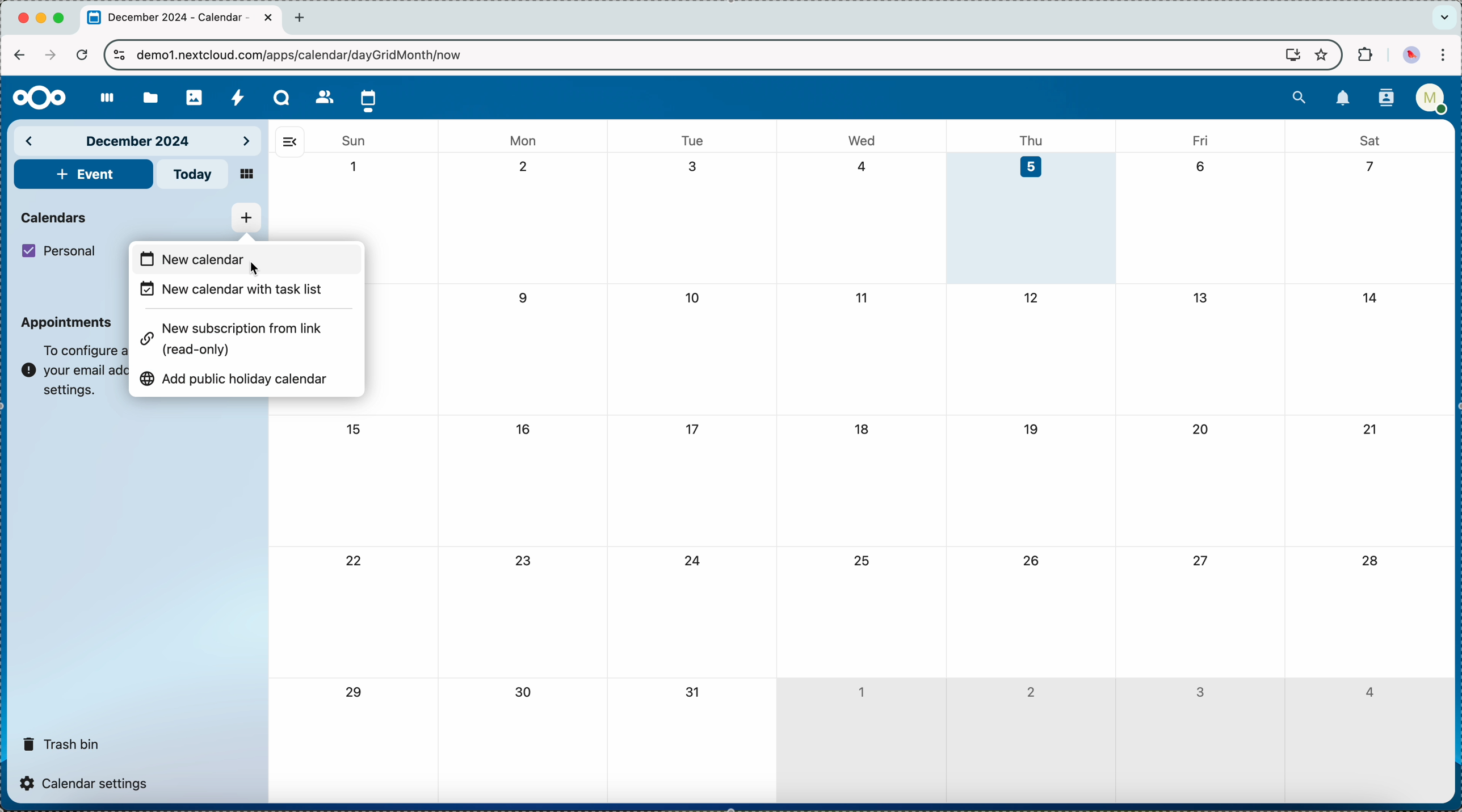 The height and width of the screenshot is (812, 1462). What do you see at coordinates (863, 429) in the screenshot?
I see `18` at bounding box center [863, 429].